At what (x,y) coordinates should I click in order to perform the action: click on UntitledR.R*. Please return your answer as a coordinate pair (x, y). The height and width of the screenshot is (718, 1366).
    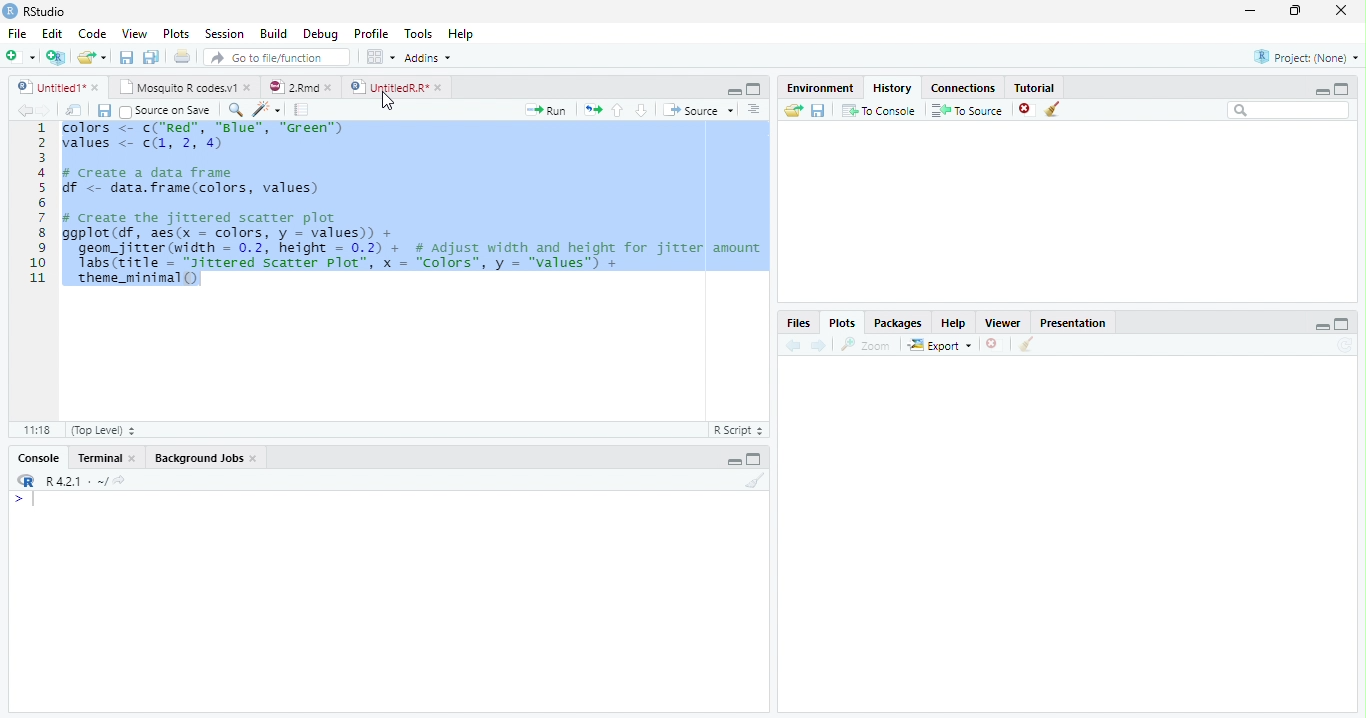
    Looking at the image, I should click on (388, 88).